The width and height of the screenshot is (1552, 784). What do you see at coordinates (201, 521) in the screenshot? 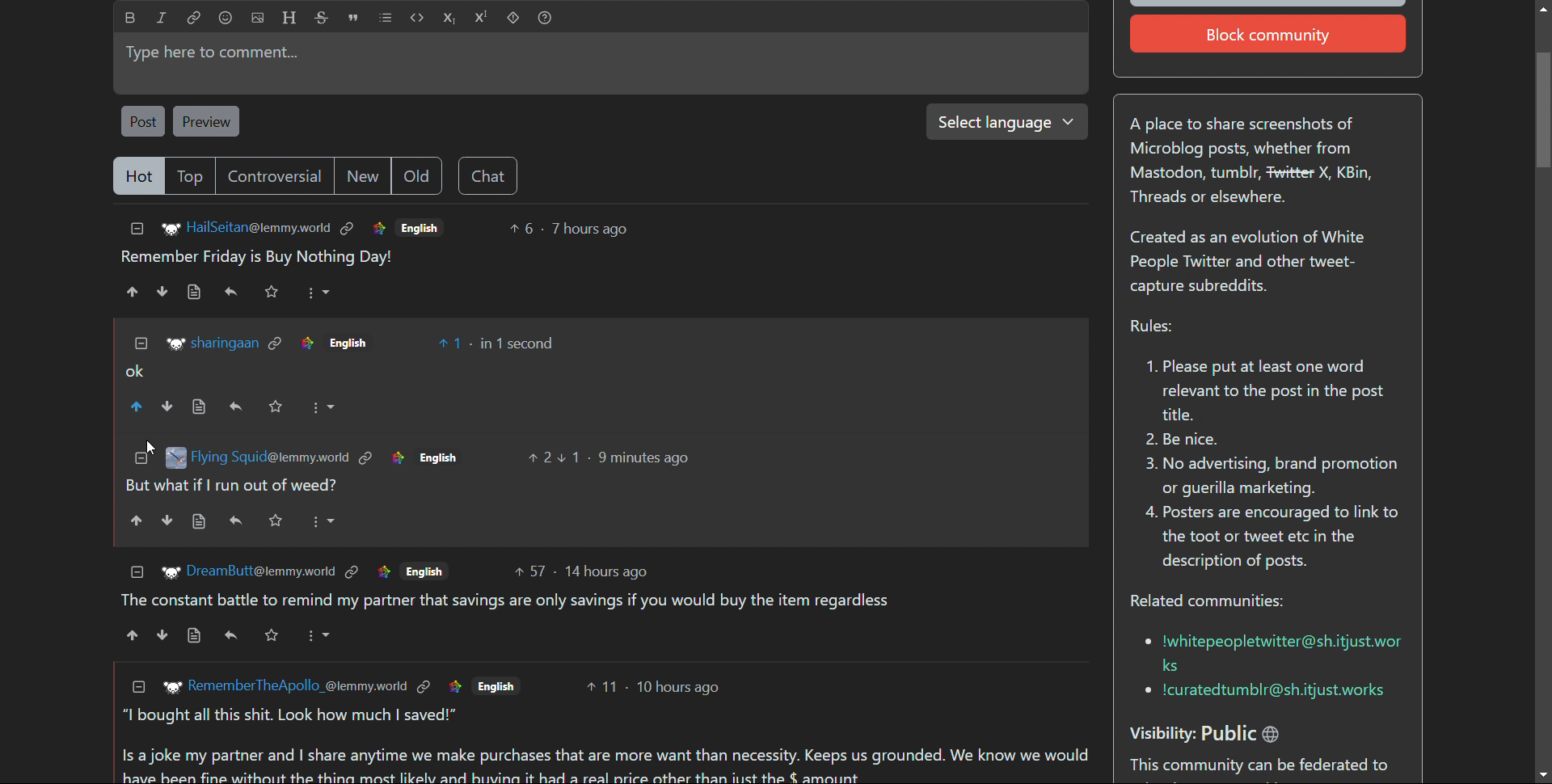
I see `view source` at bounding box center [201, 521].